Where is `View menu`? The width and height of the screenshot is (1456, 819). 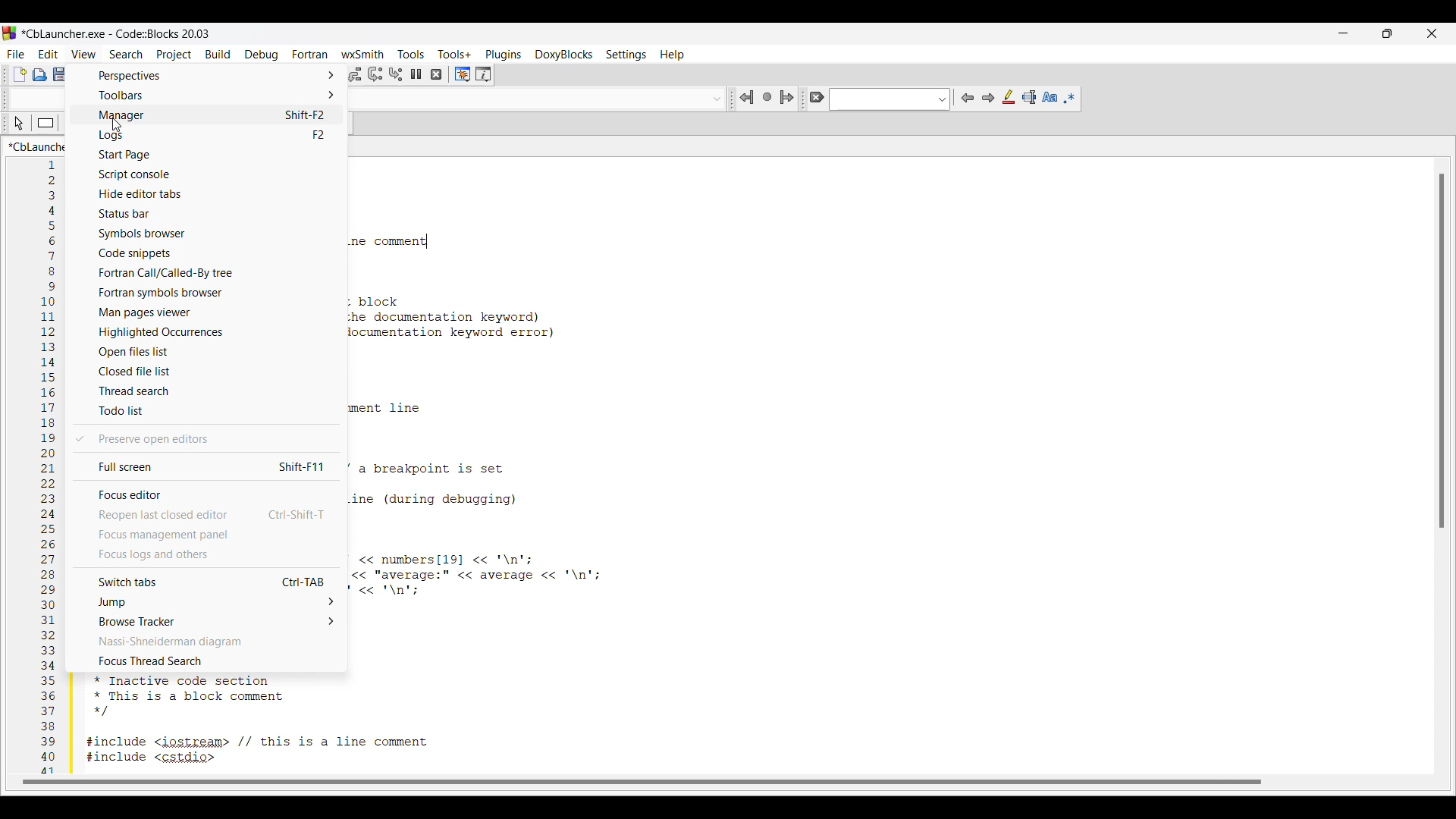
View menu is located at coordinates (84, 54).